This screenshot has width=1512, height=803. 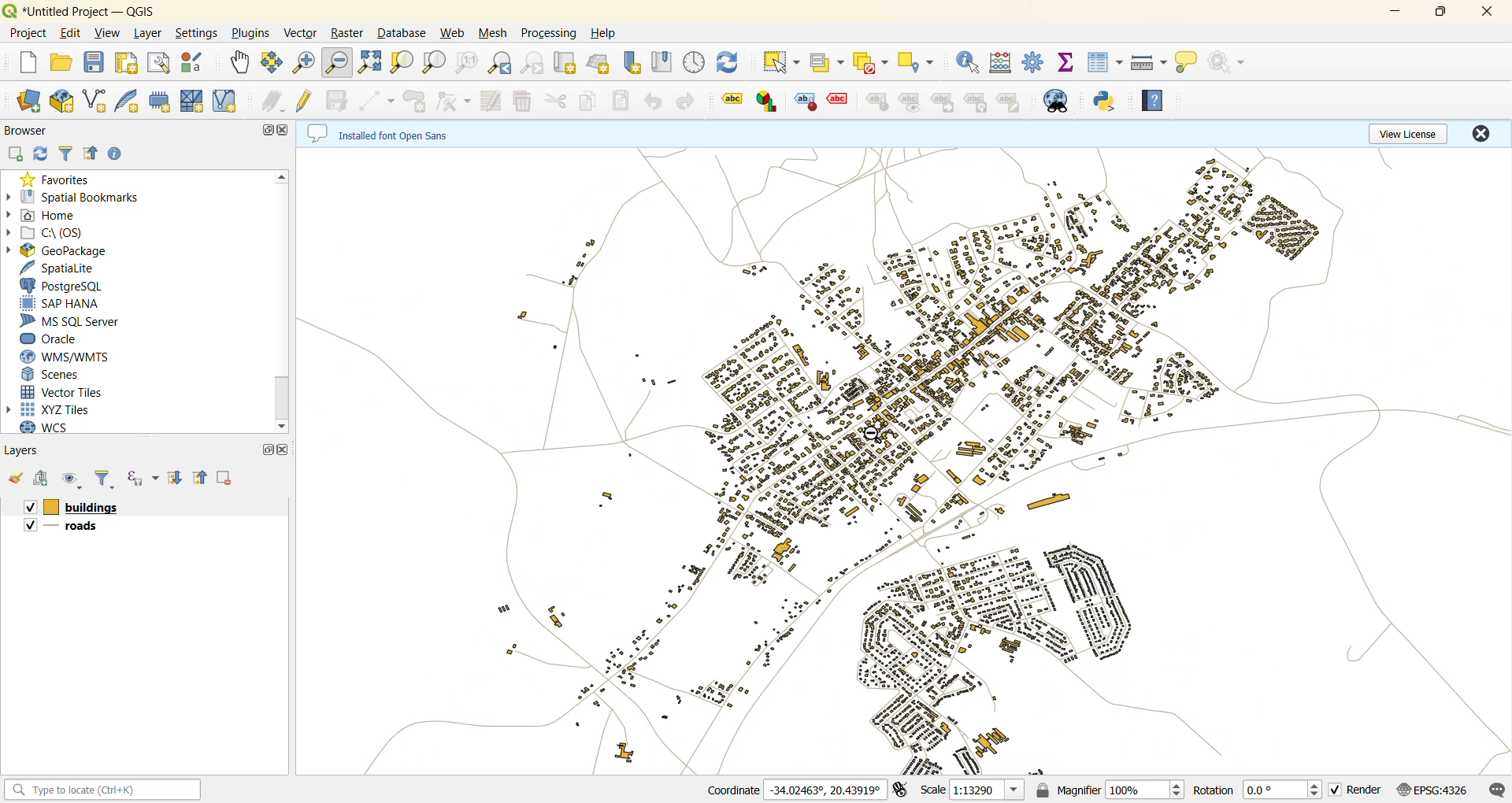 What do you see at coordinates (825, 62) in the screenshot?
I see `select value` at bounding box center [825, 62].